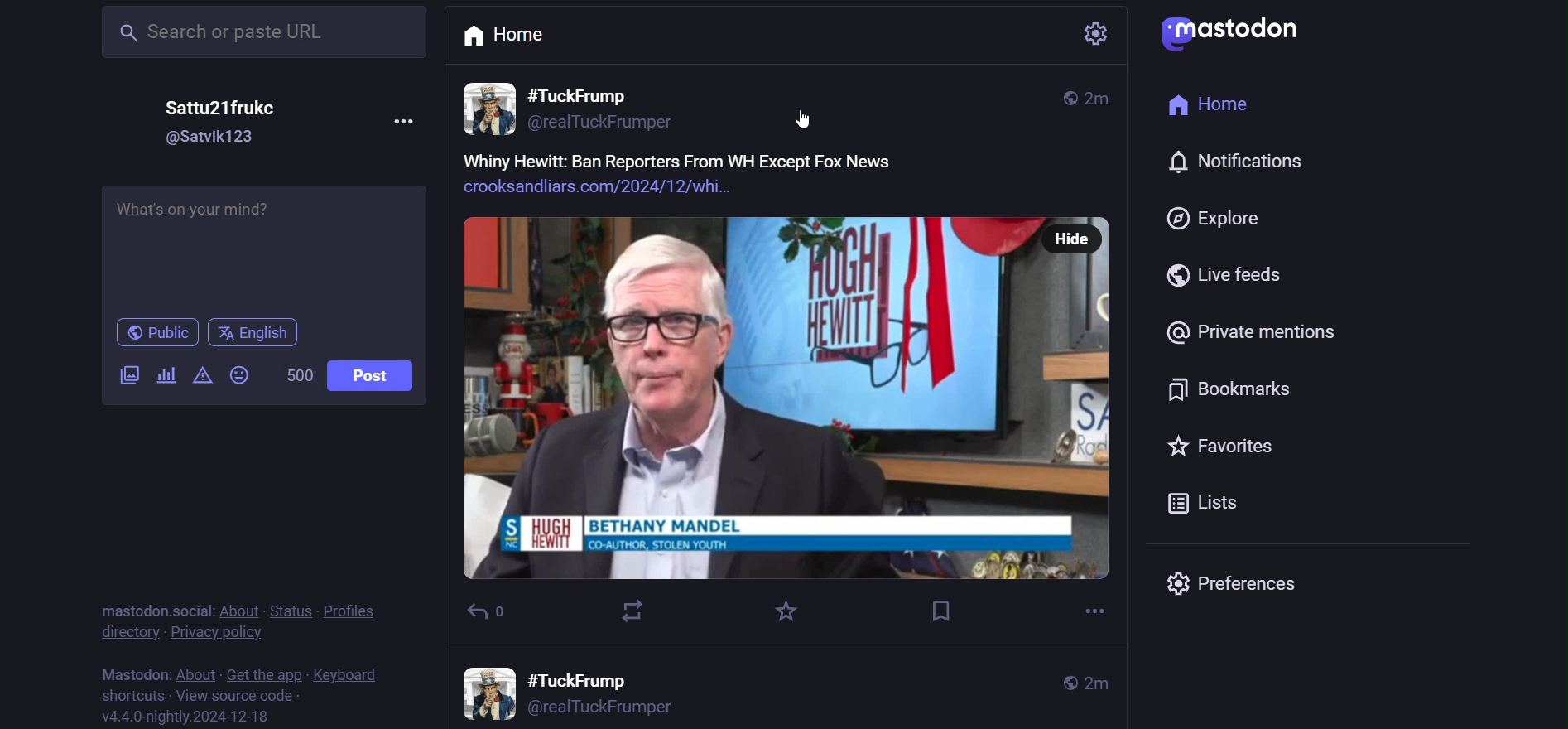 This screenshot has width=1568, height=729. Describe the element at coordinates (261, 35) in the screenshot. I see `search` at that location.